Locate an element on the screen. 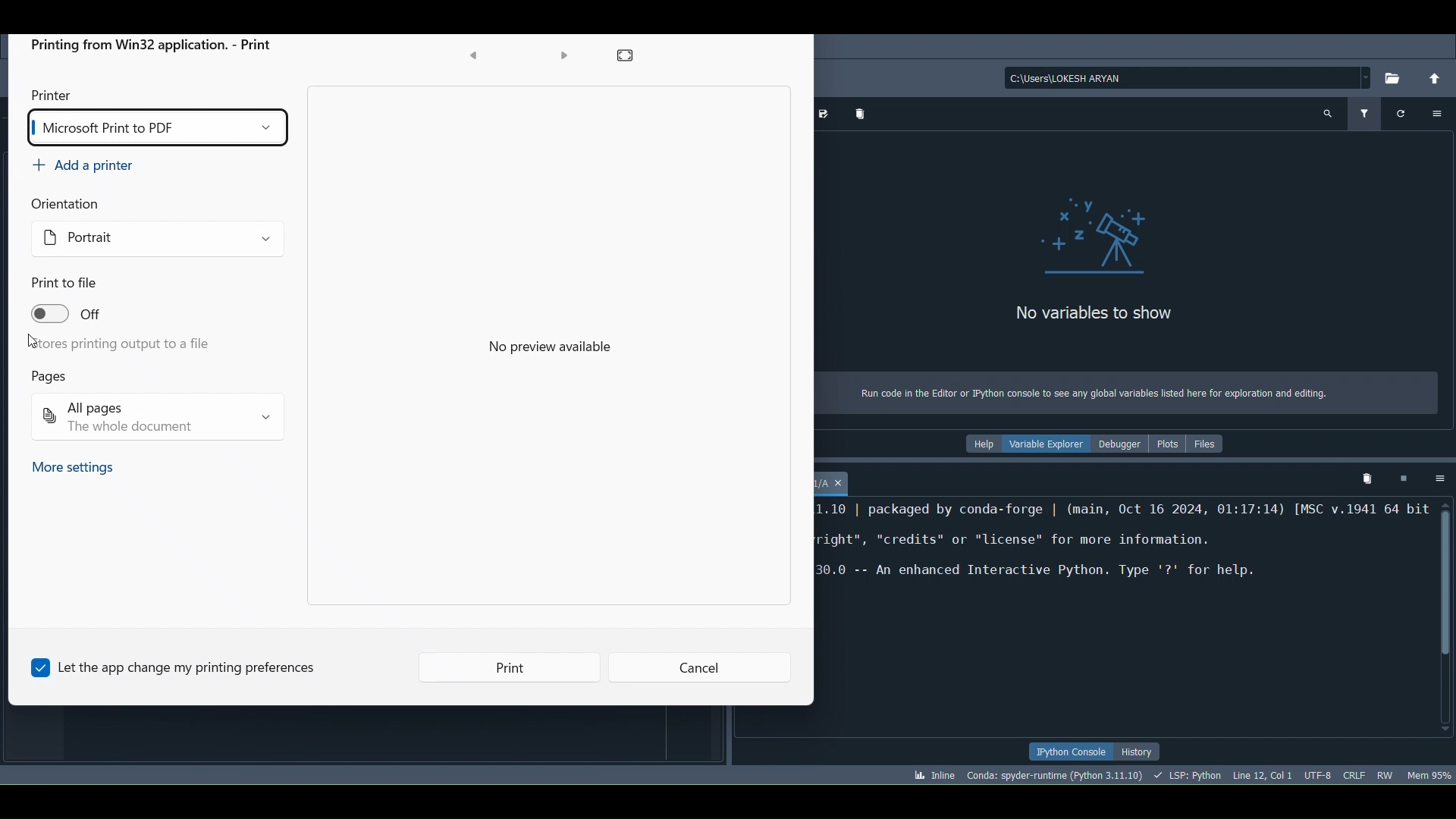  Interrupt kernel is located at coordinates (1405, 480).